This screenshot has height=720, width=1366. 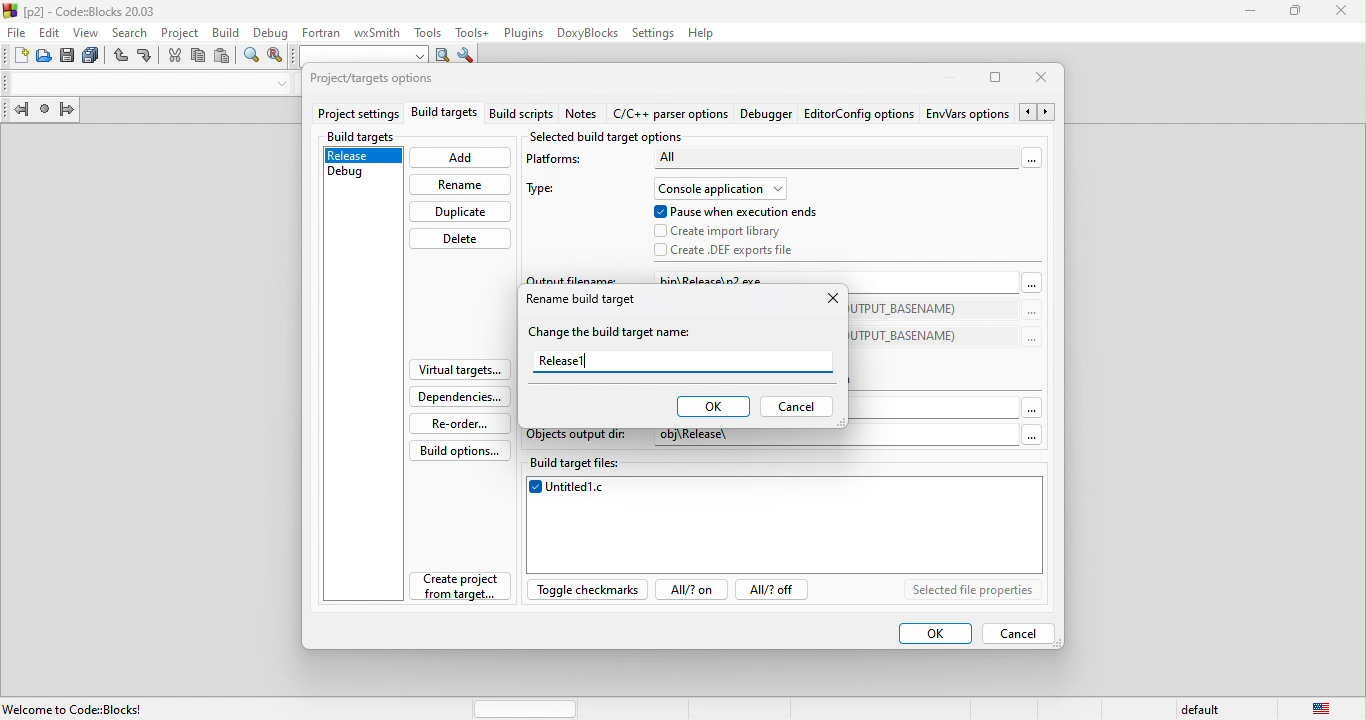 What do you see at coordinates (996, 81) in the screenshot?
I see `maximize` at bounding box center [996, 81].